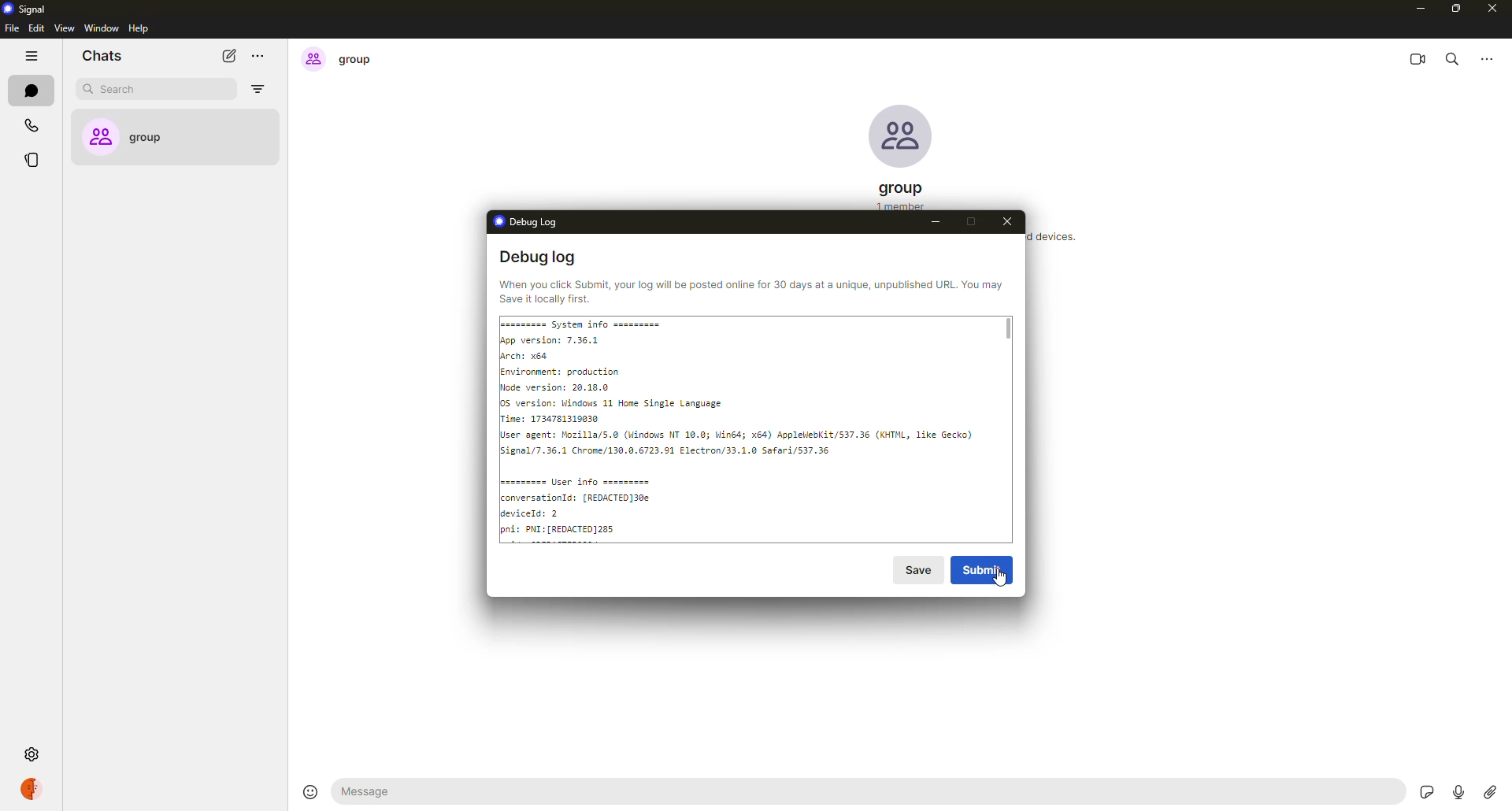 This screenshot has height=811, width=1512. Describe the element at coordinates (1489, 792) in the screenshot. I see `attach` at that location.